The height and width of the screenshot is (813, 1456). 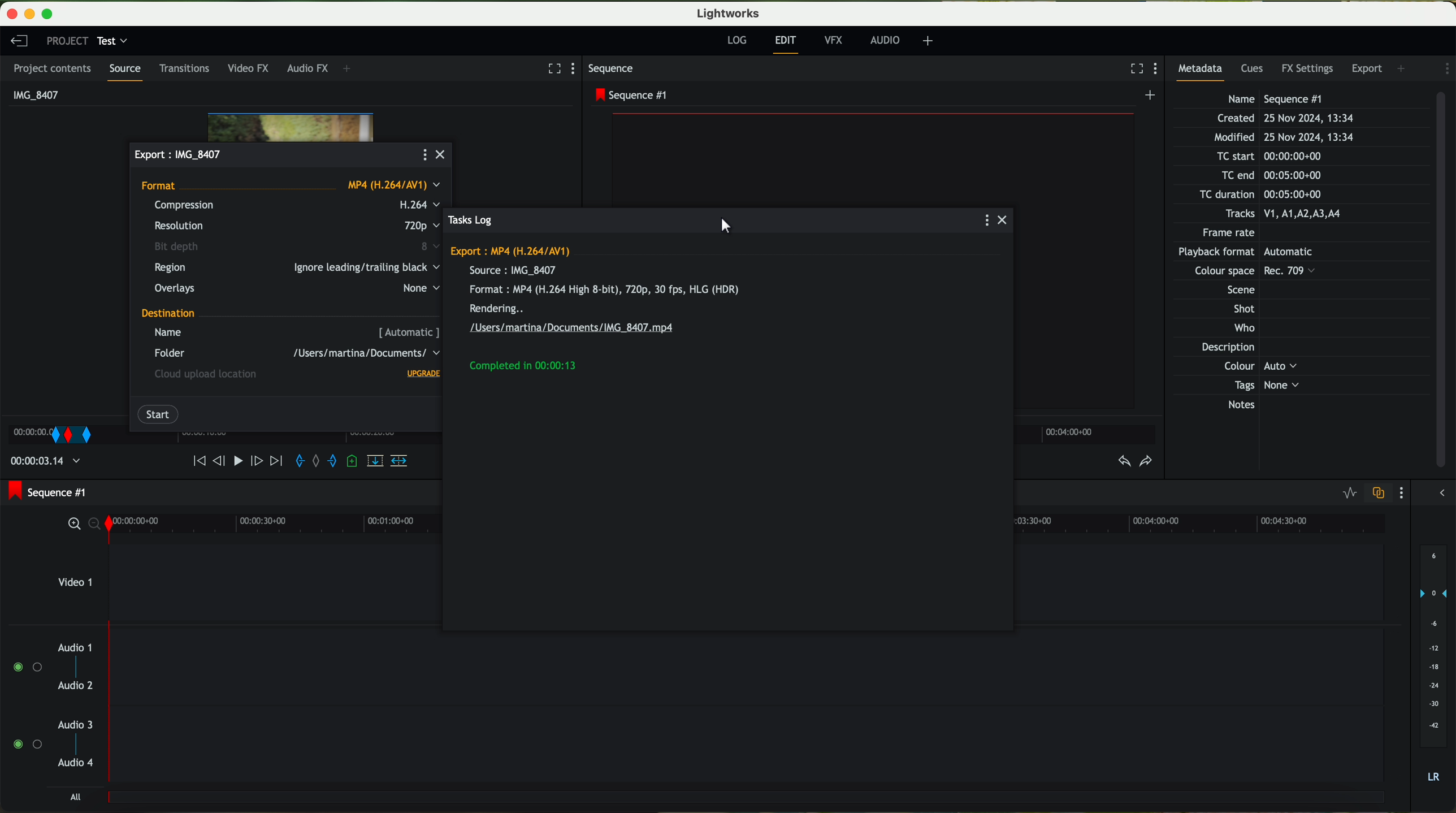 What do you see at coordinates (552, 68) in the screenshot?
I see `fullscreen` at bounding box center [552, 68].